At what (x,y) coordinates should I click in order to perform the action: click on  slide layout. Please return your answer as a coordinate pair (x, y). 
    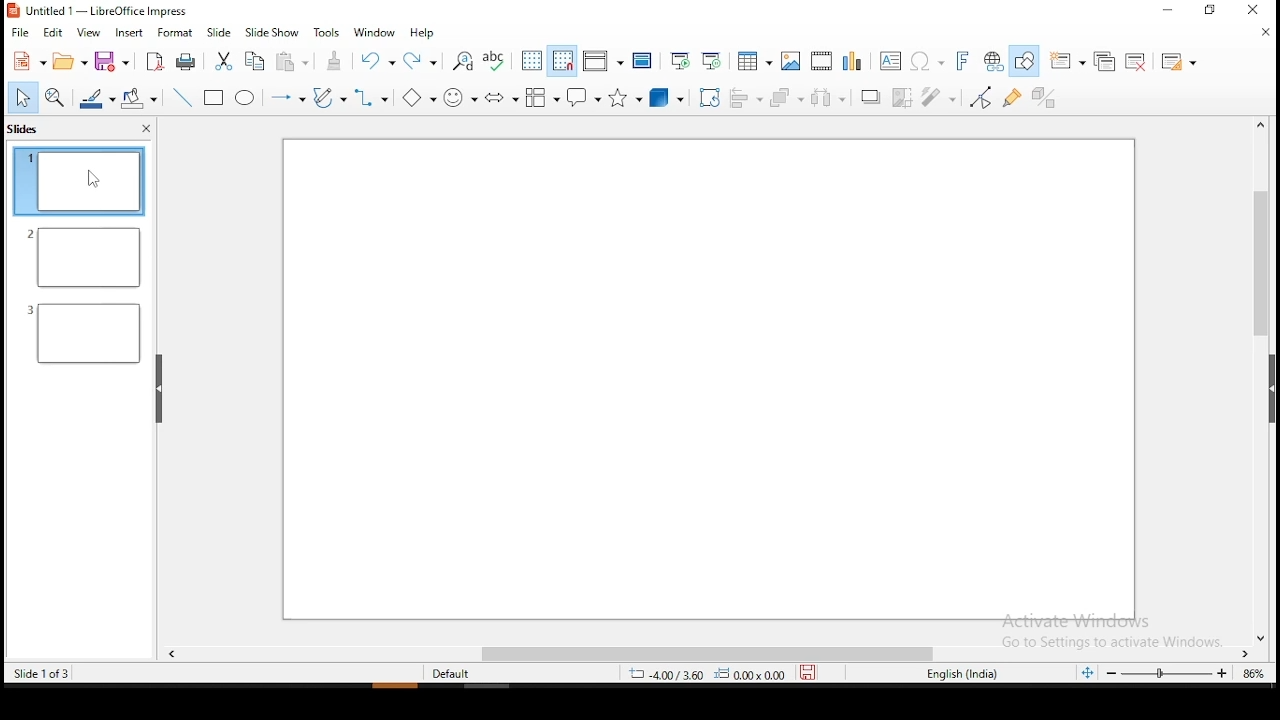
    Looking at the image, I should click on (1179, 63).